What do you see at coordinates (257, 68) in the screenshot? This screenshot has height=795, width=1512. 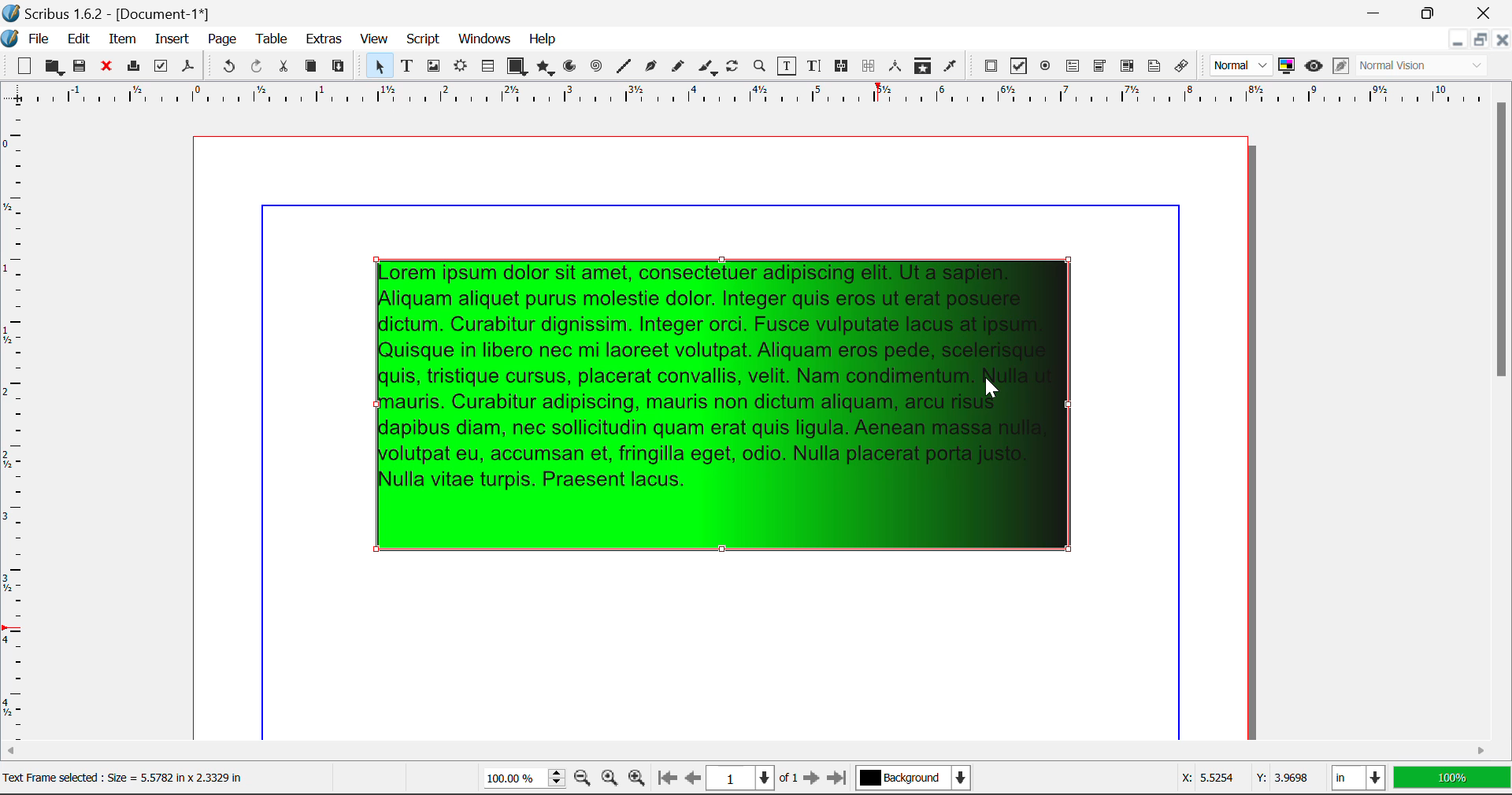 I see `Redo` at bounding box center [257, 68].